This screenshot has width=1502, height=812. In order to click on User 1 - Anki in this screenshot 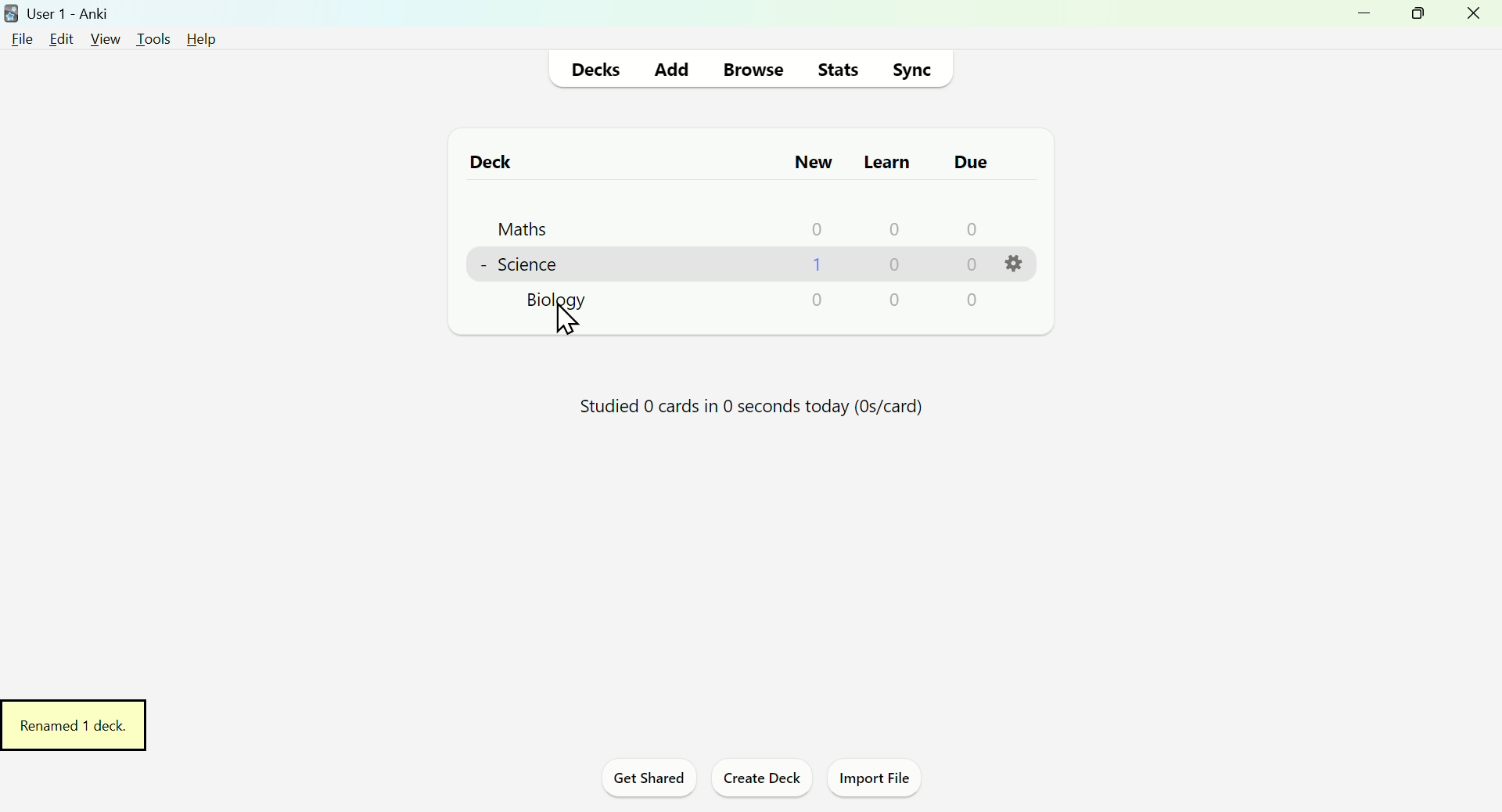, I will do `click(61, 12)`.